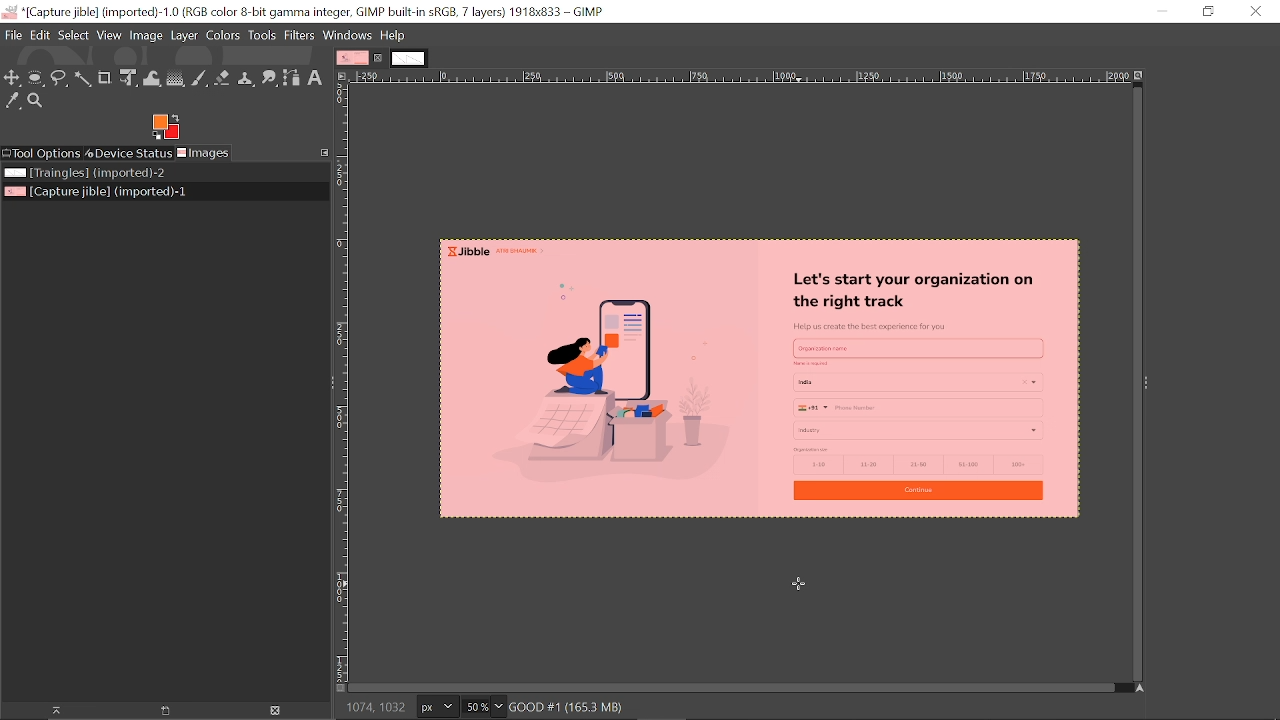  I want to click on Eraser tool, so click(223, 78).